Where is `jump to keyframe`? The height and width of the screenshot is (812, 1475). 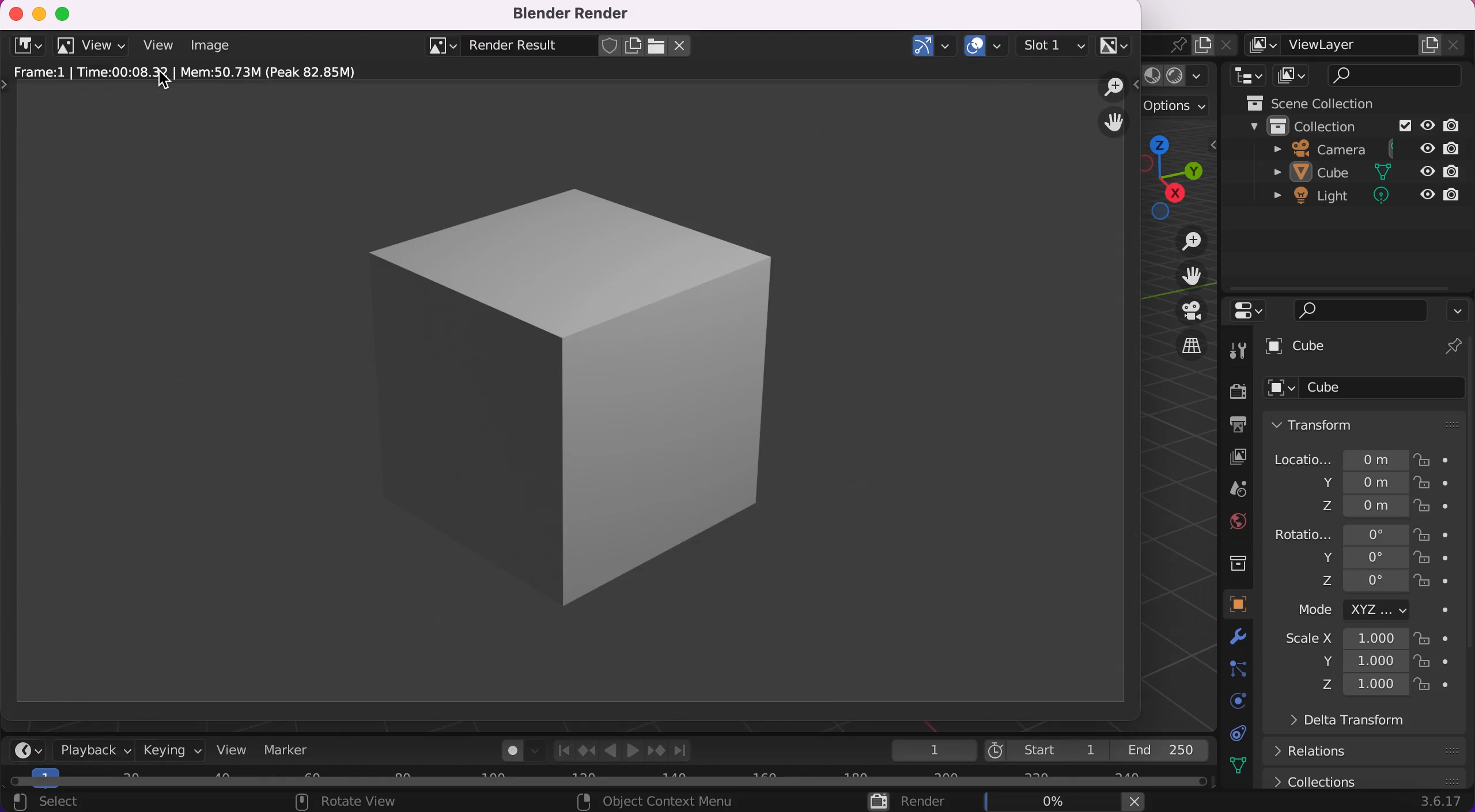
jump to keyframe is located at coordinates (586, 749).